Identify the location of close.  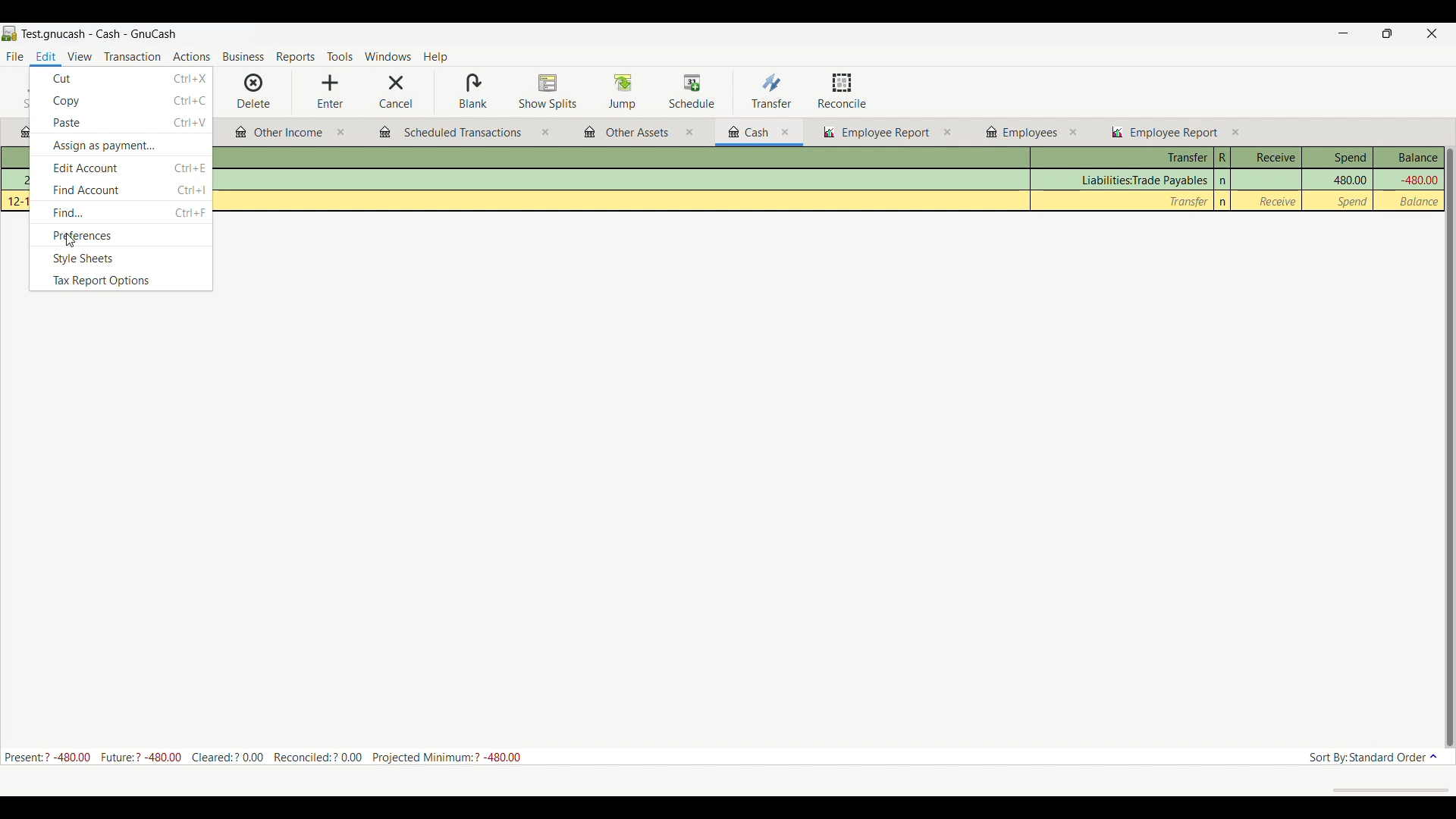
(1074, 132).